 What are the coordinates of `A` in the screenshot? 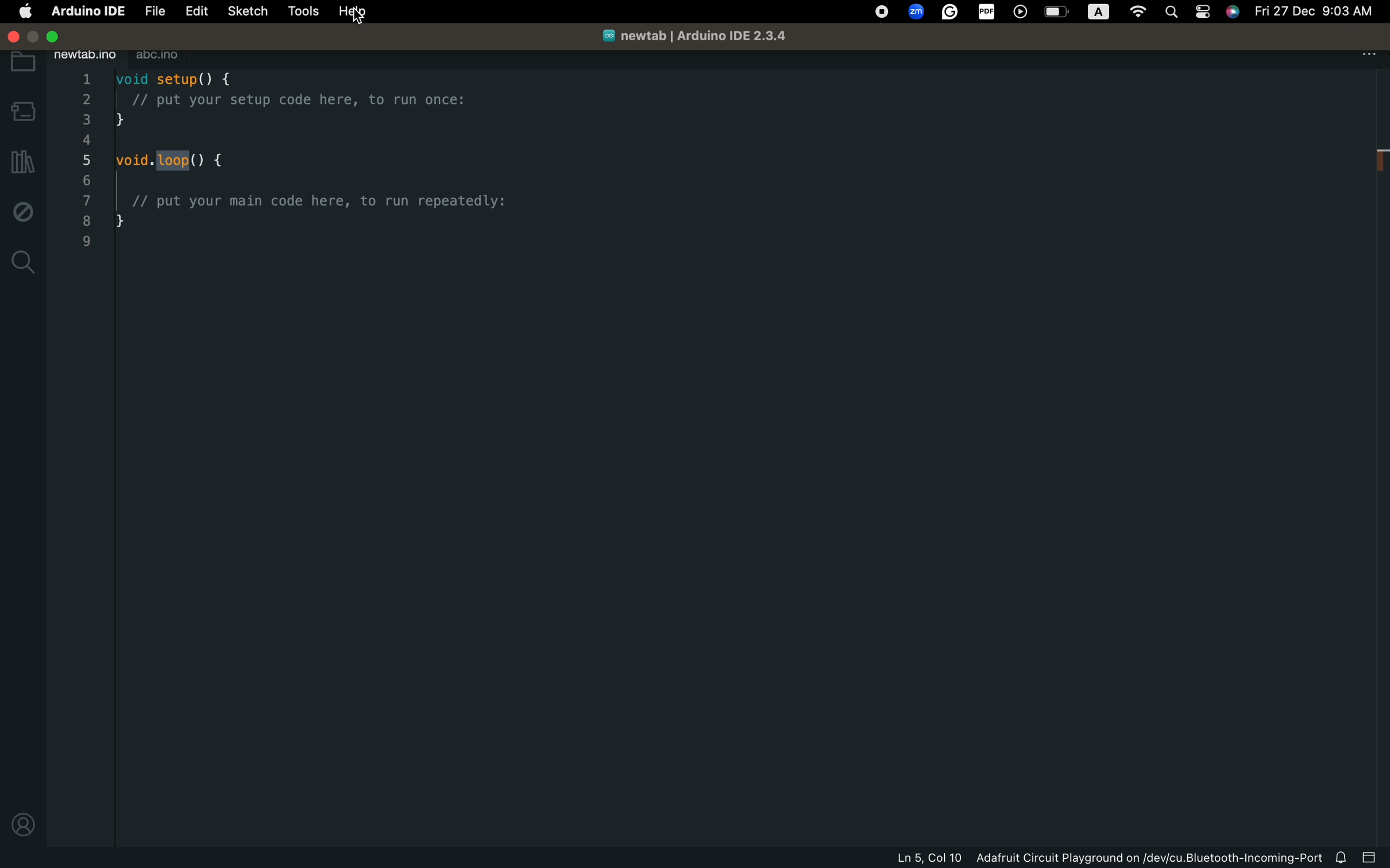 It's located at (1096, 10).